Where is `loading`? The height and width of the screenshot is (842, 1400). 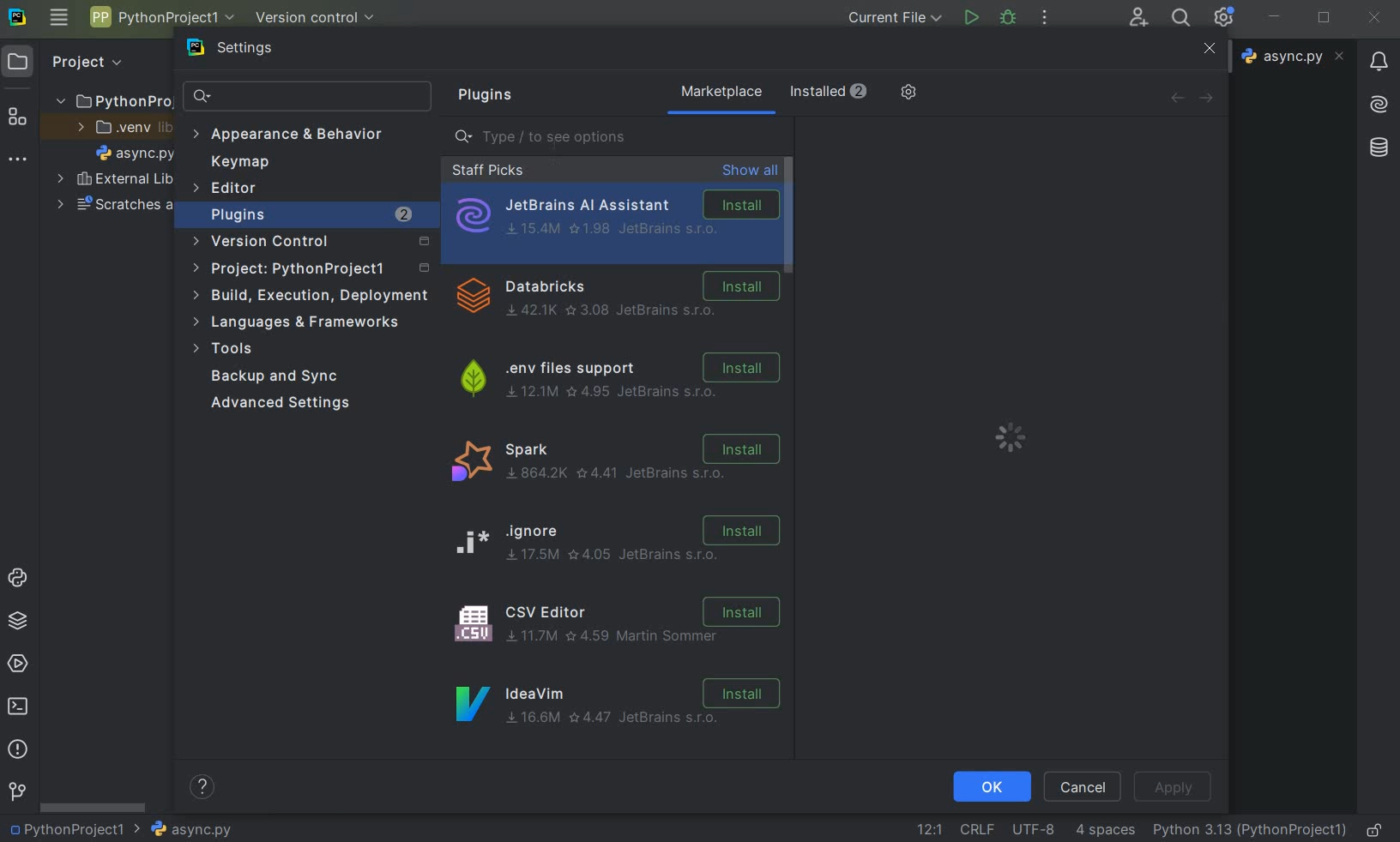
loading is located at coordinates (1014, 438).